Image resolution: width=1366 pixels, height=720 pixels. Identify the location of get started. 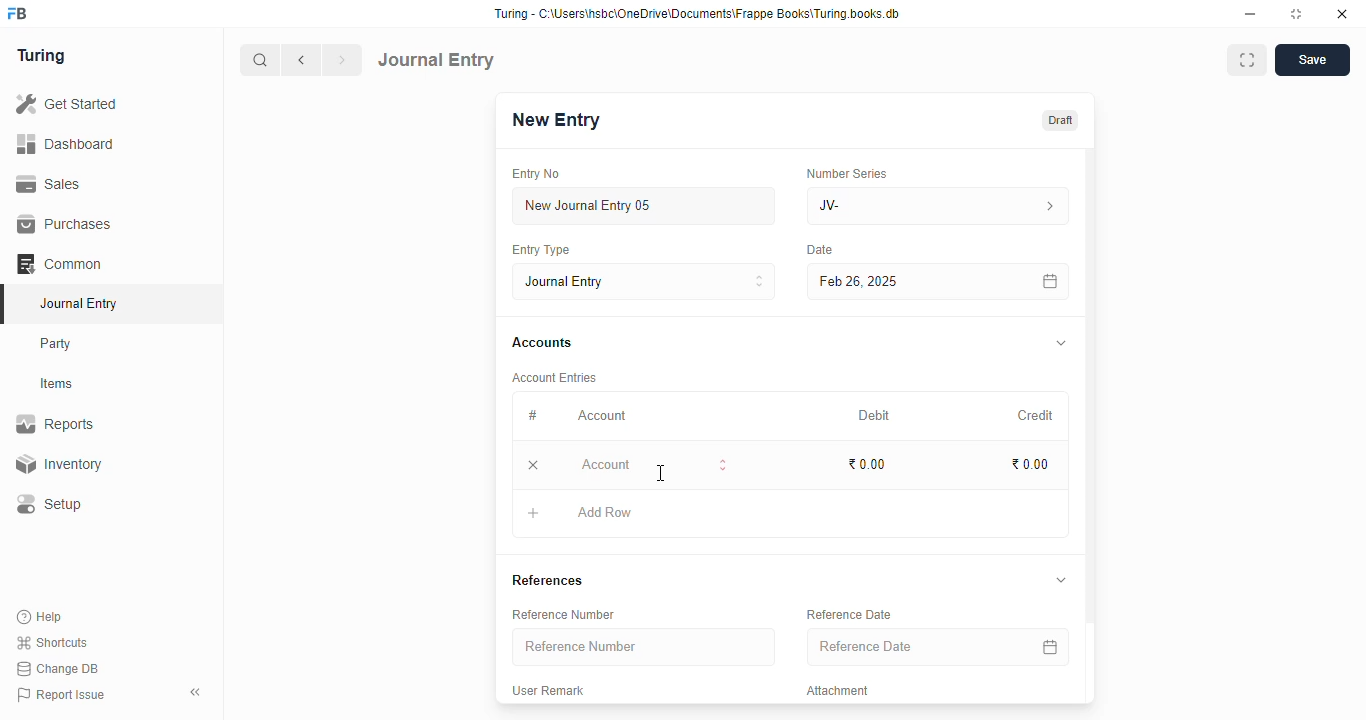
(68, 104).